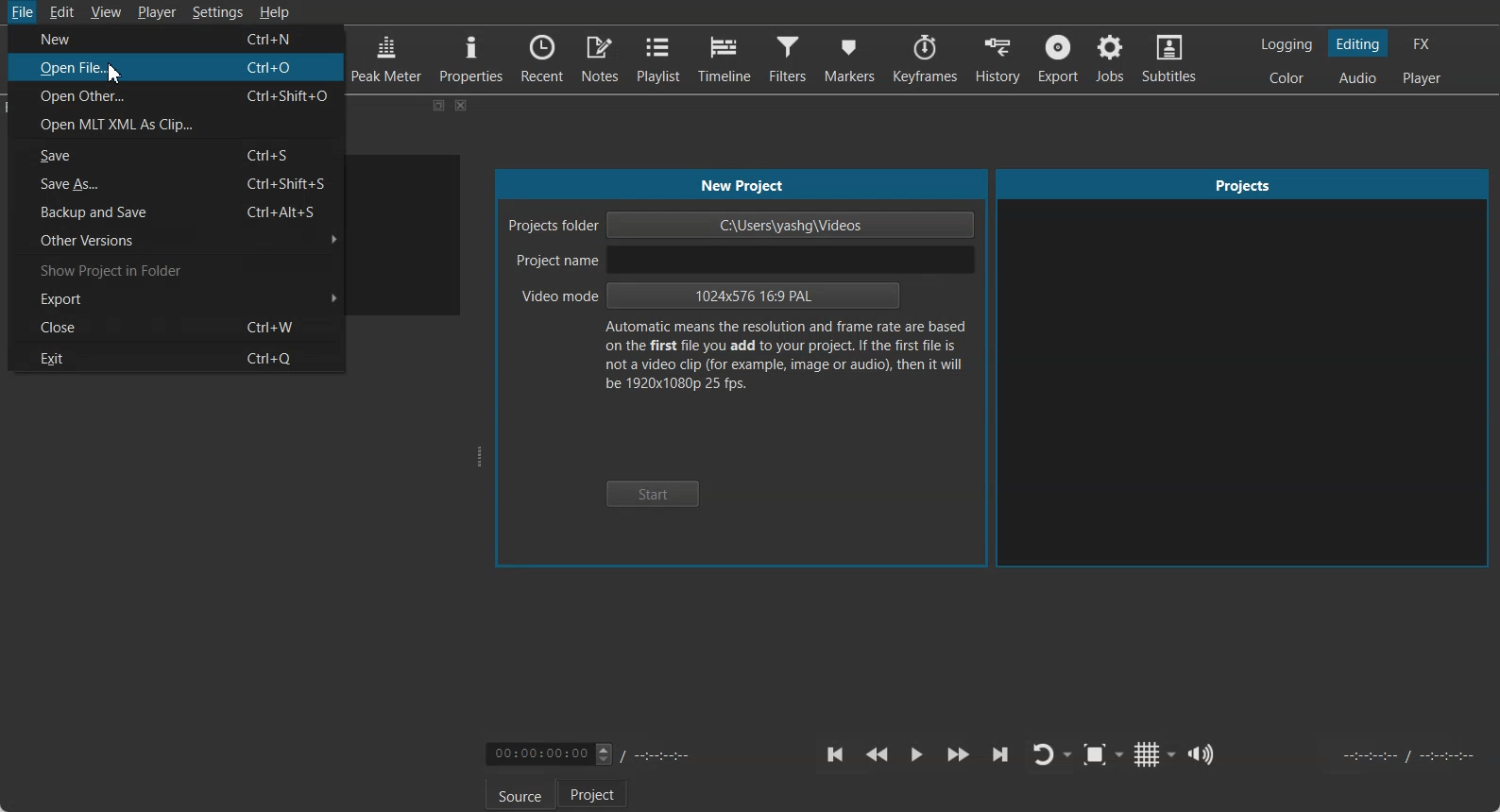  I want to click on New, so click(179, 37).